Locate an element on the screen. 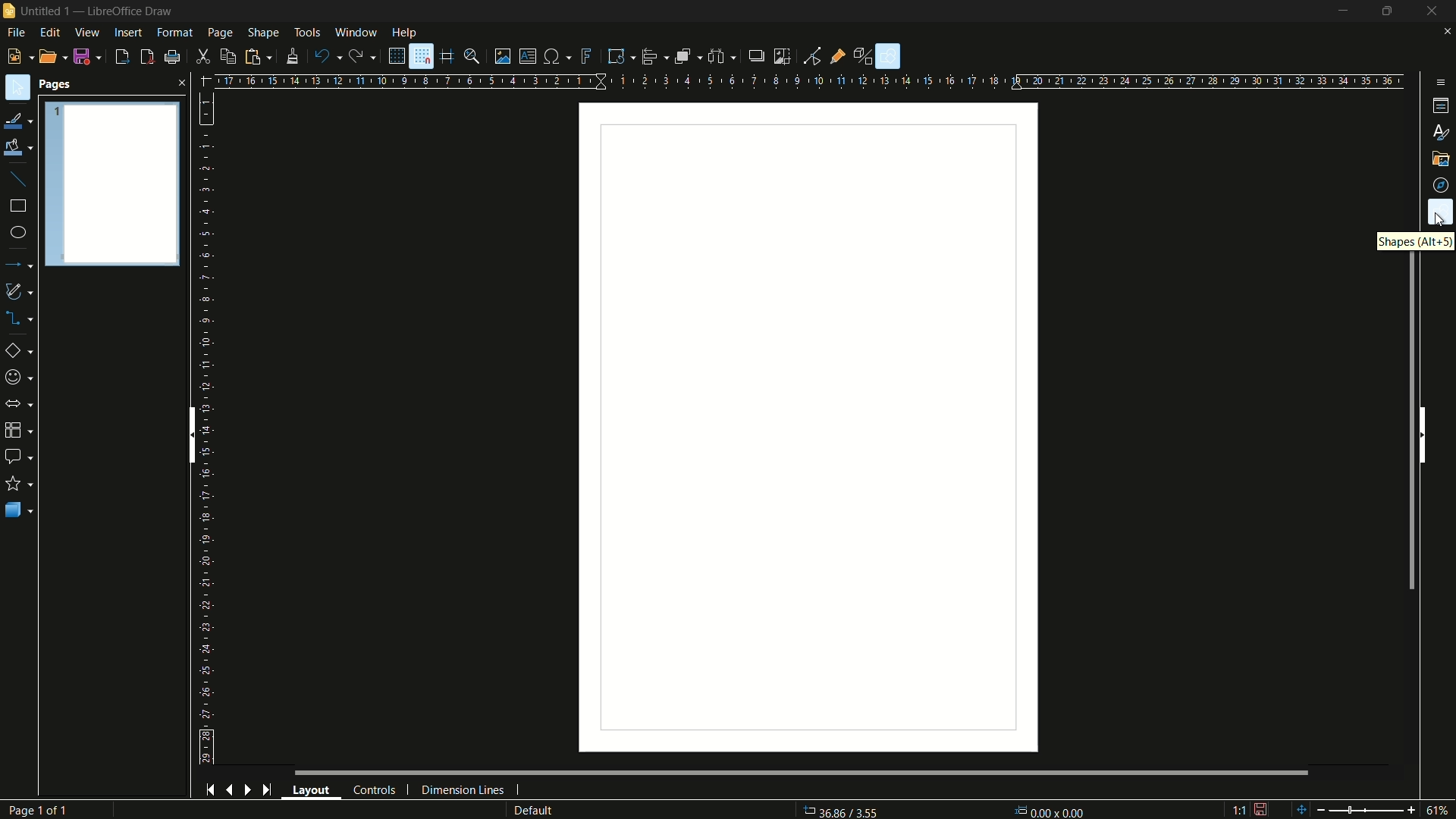  paste is located at coordinates (262, 56).